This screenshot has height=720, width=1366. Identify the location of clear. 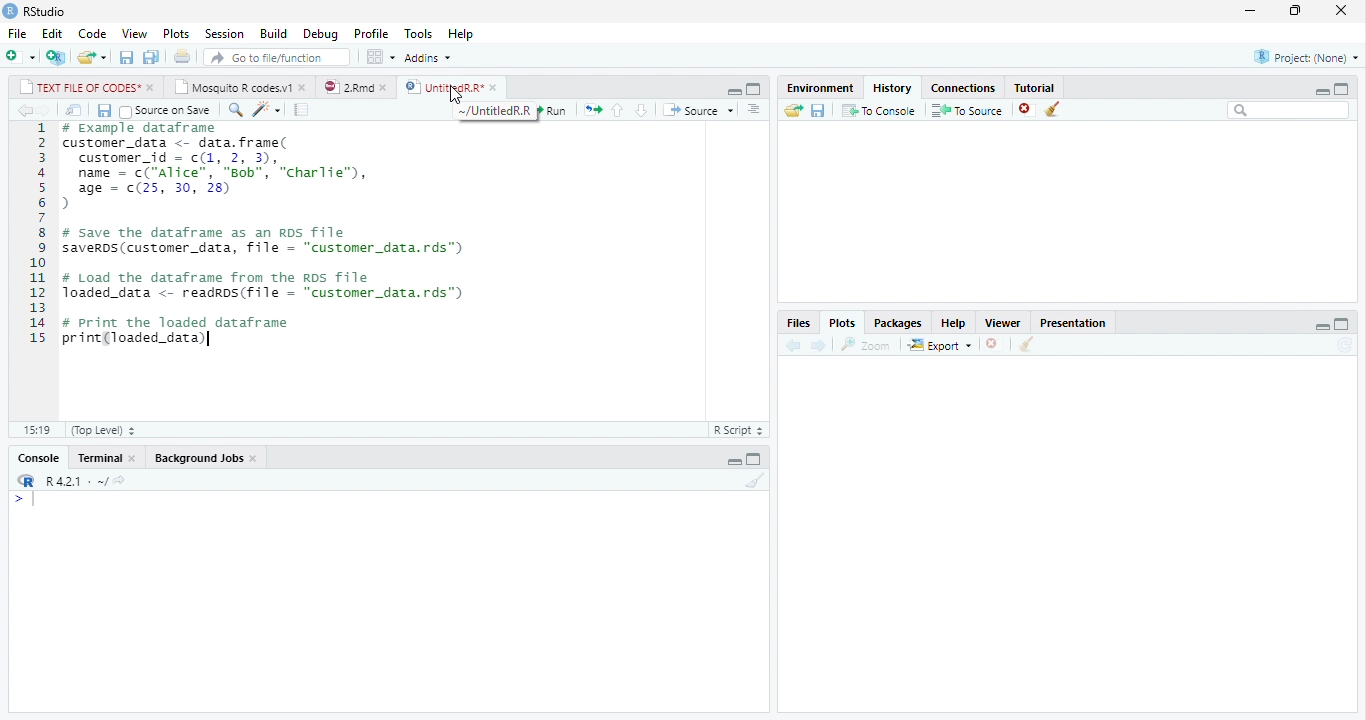
(1053, 109).